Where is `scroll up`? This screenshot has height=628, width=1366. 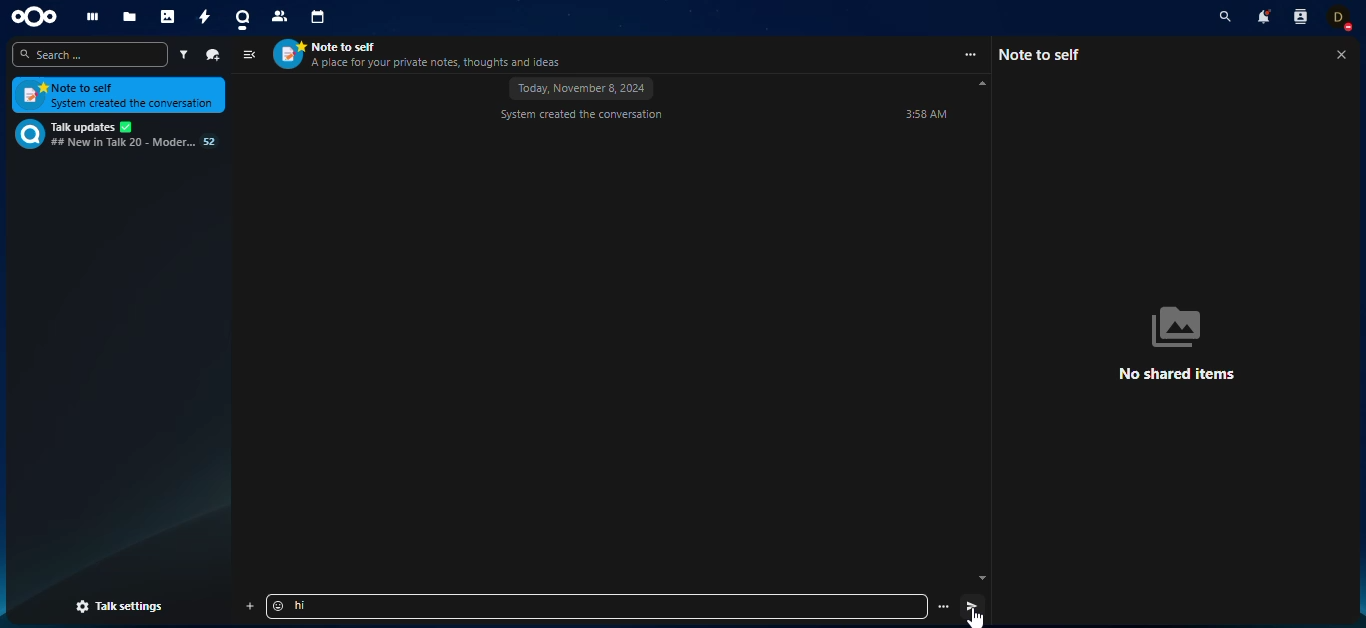
scroll up is located at coordinates (982, 84).